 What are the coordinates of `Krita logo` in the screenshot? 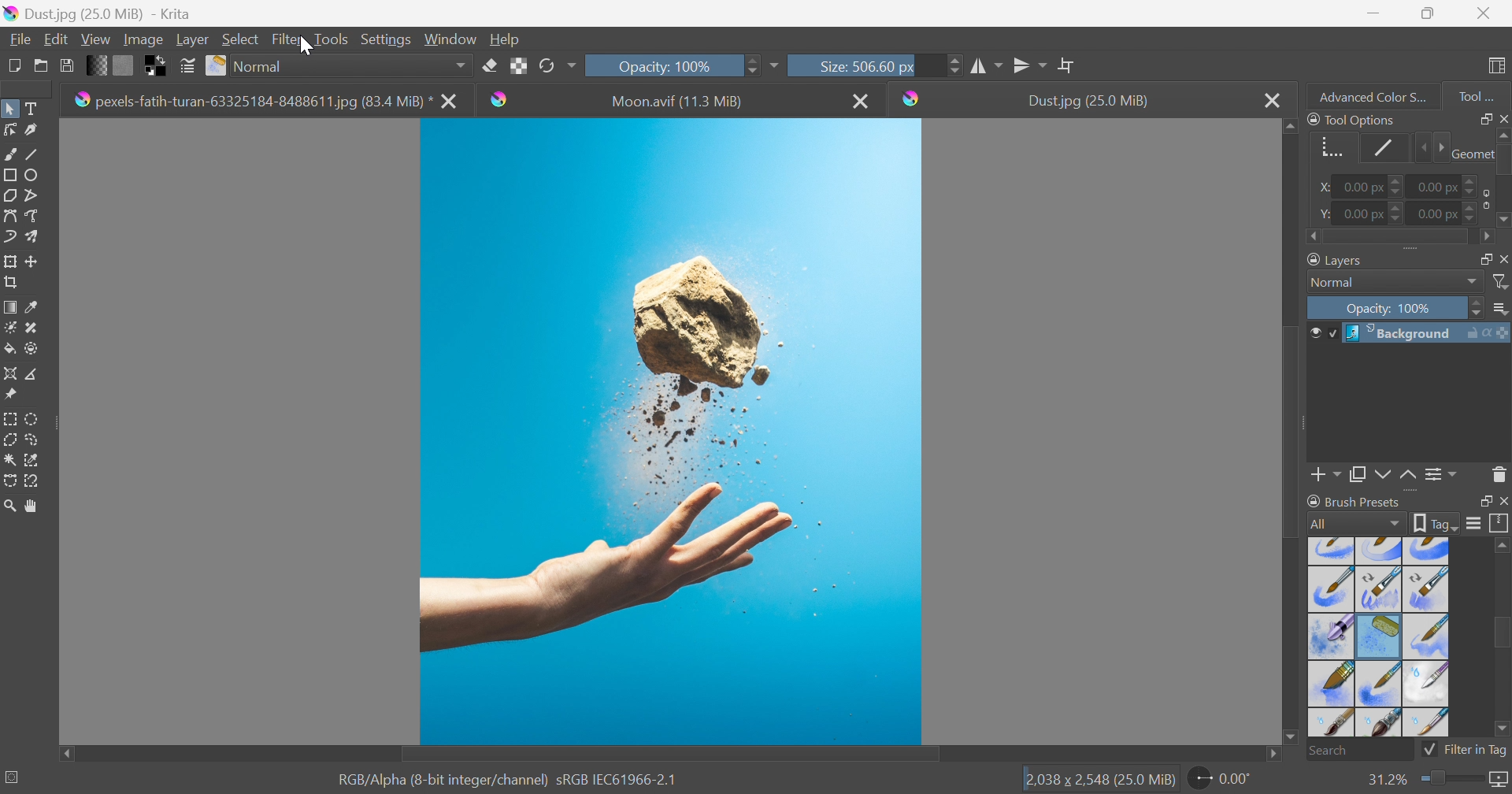 It's located at (912, 98).